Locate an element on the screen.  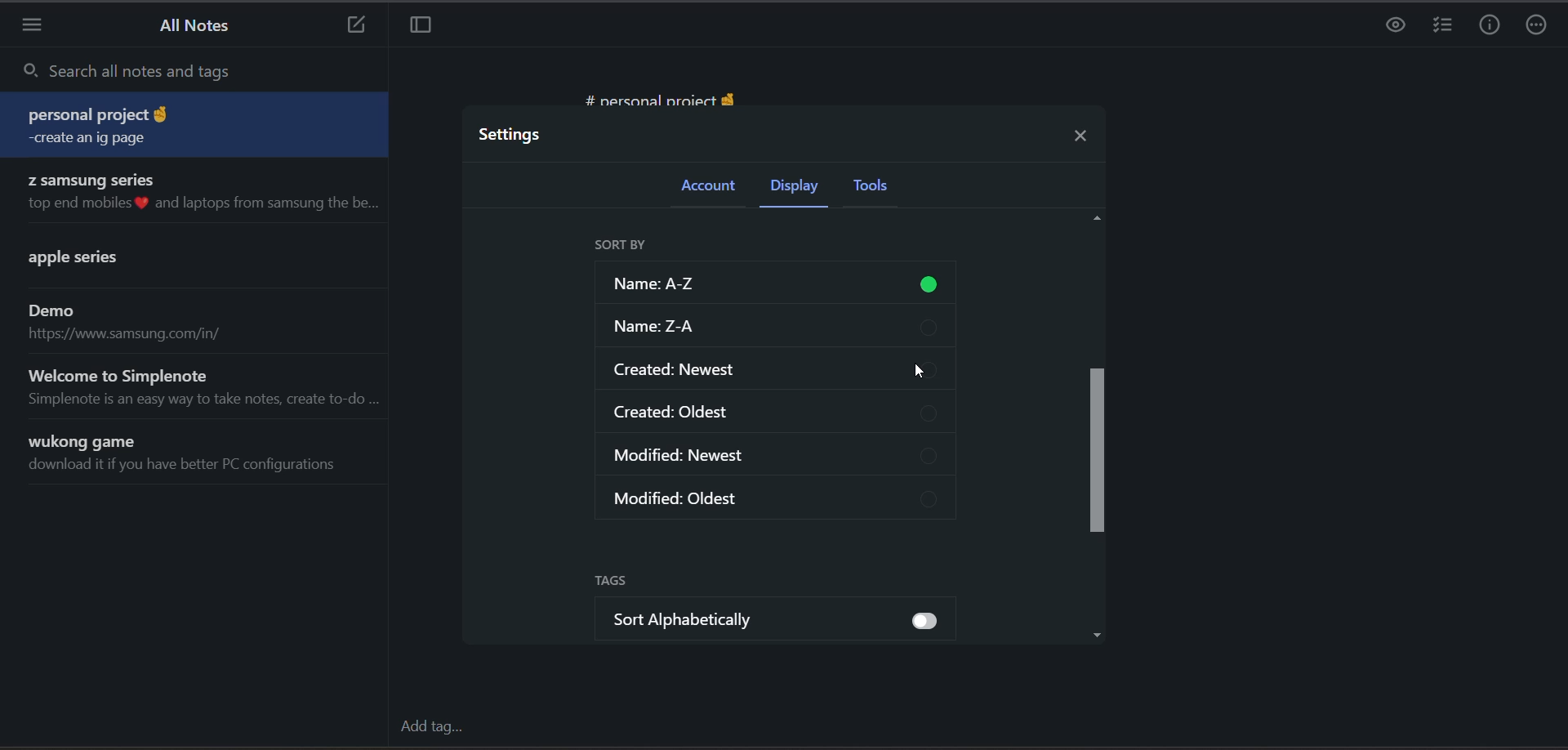
vertical scroll bar is located at coordinates (1098, 452).